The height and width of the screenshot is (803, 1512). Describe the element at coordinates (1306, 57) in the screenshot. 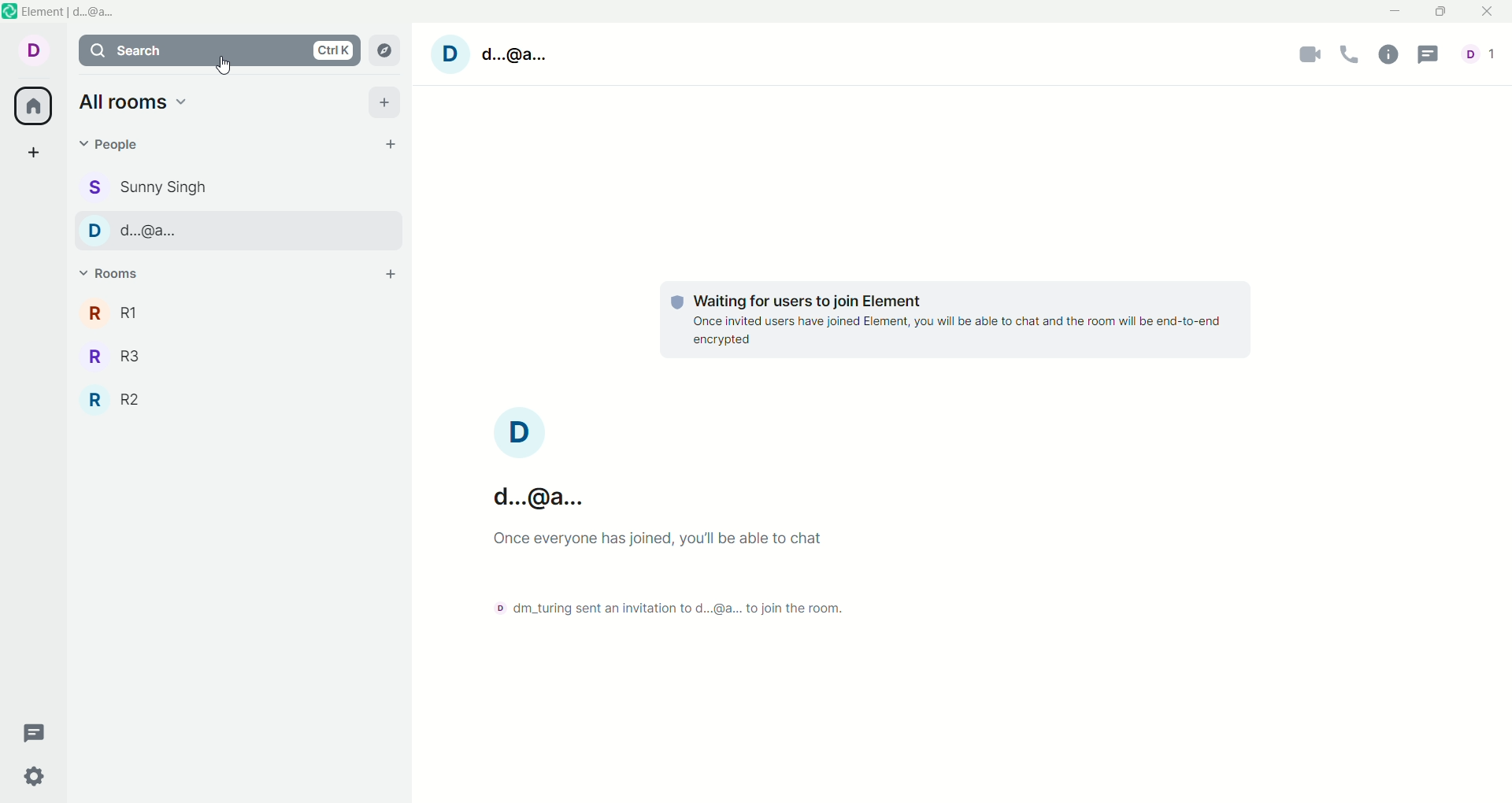

I see `video call` at that location.